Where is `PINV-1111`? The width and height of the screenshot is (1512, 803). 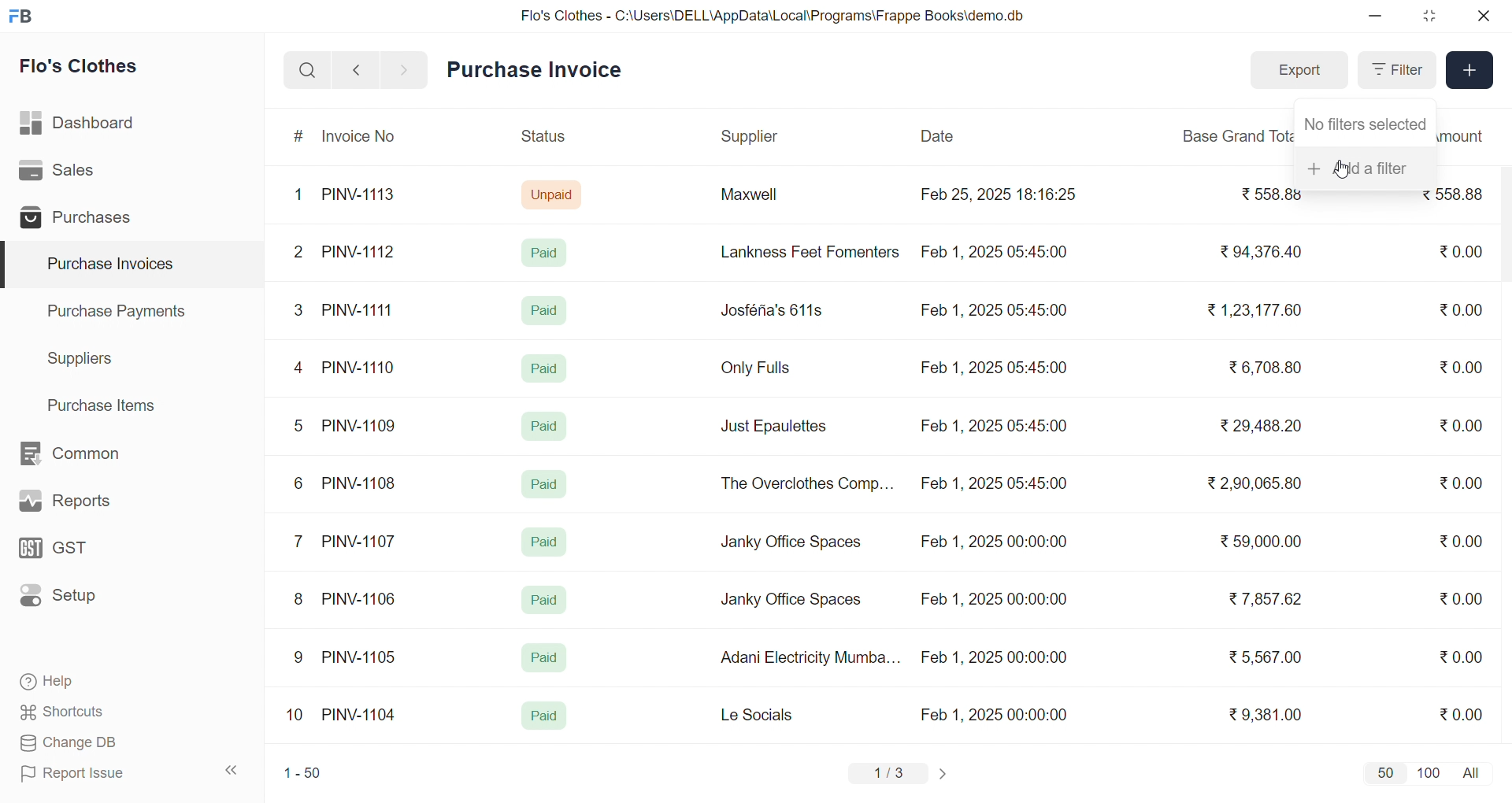 PINV-1111 is located at coordinates (359, 309).